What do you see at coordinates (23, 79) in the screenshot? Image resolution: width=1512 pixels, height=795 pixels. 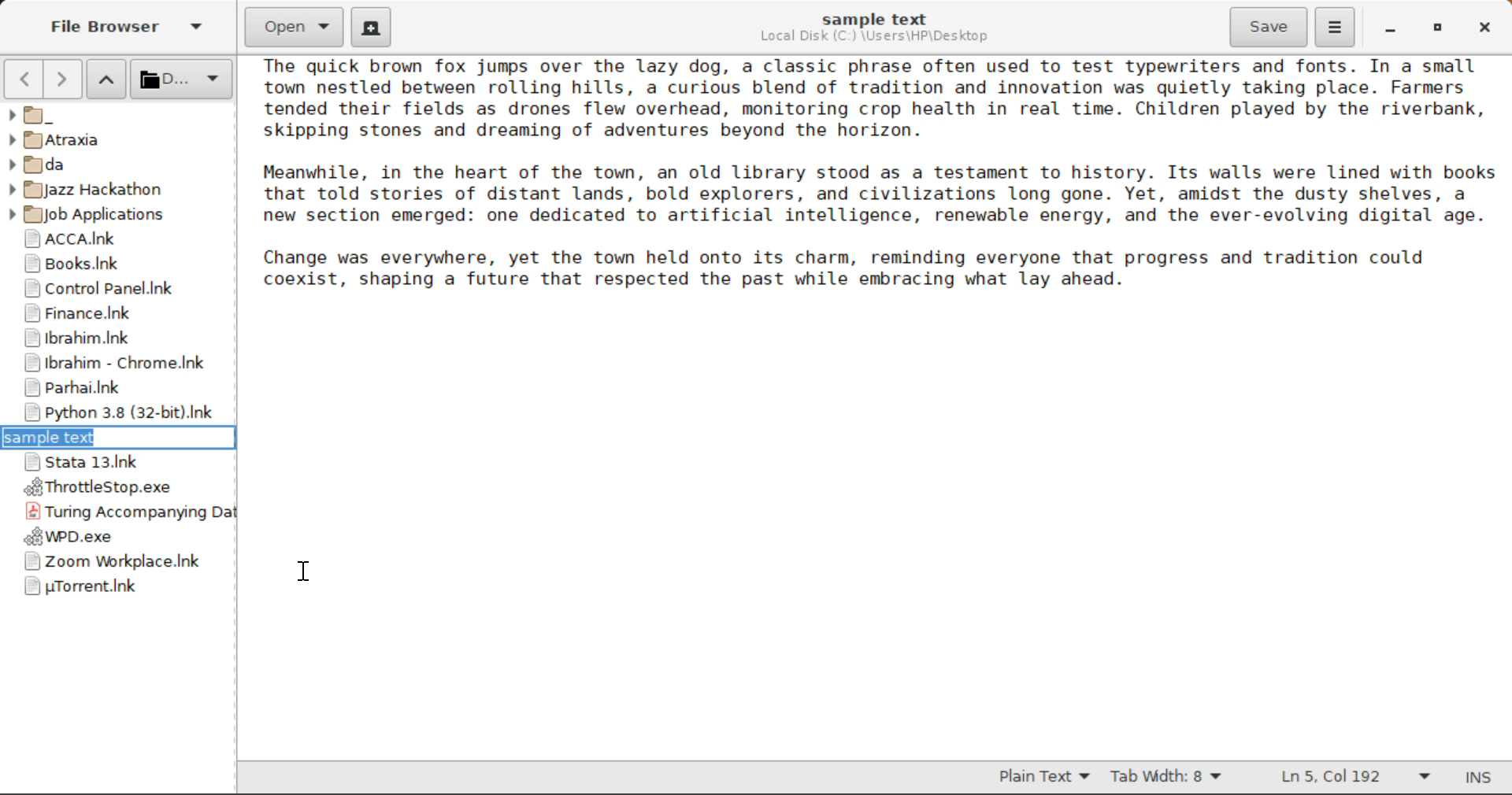 I see `Previous Page` at bounding box center [23, 79].